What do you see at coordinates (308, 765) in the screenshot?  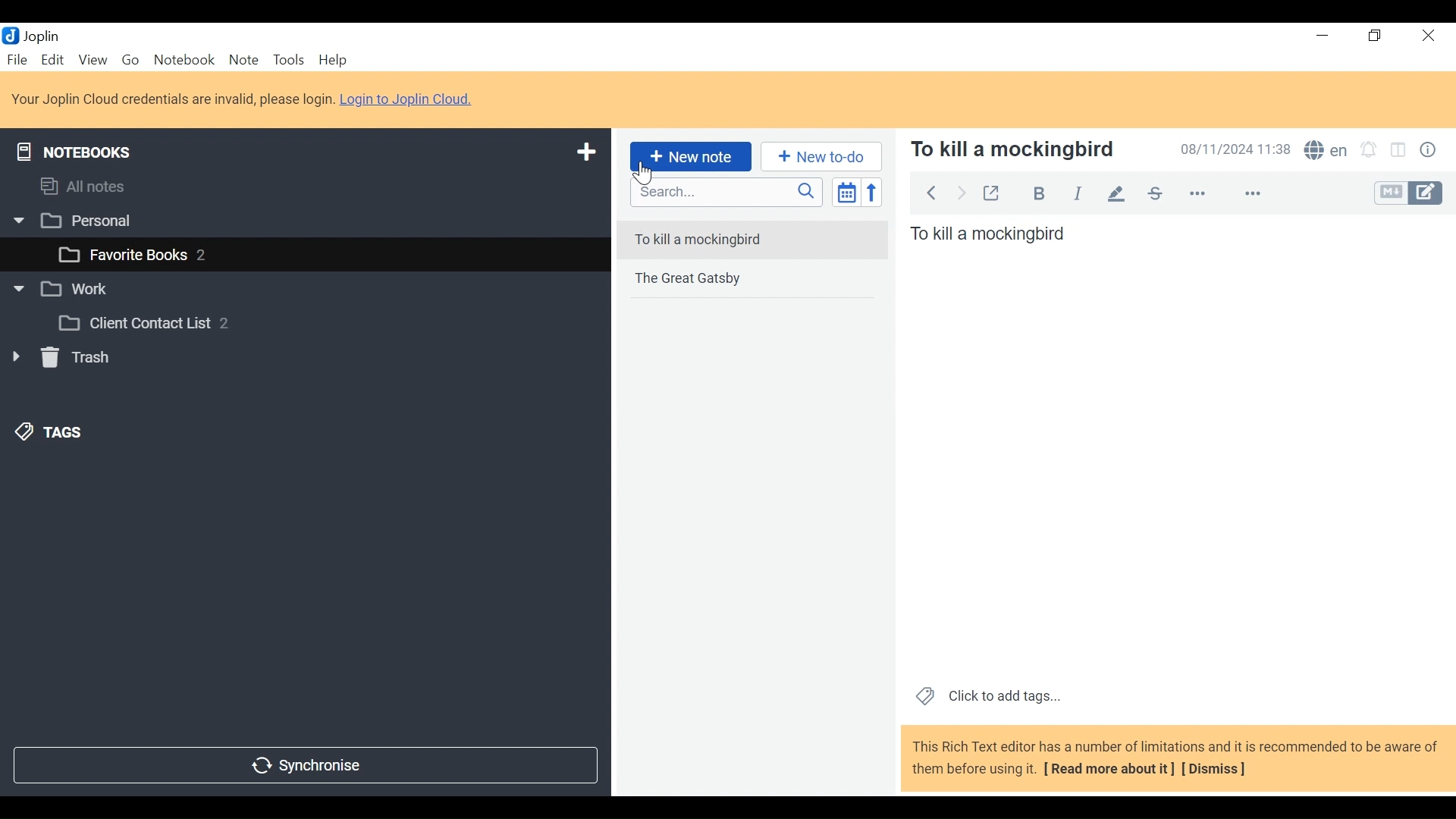 I see `Synchronise` at bounding box center [308, 765].